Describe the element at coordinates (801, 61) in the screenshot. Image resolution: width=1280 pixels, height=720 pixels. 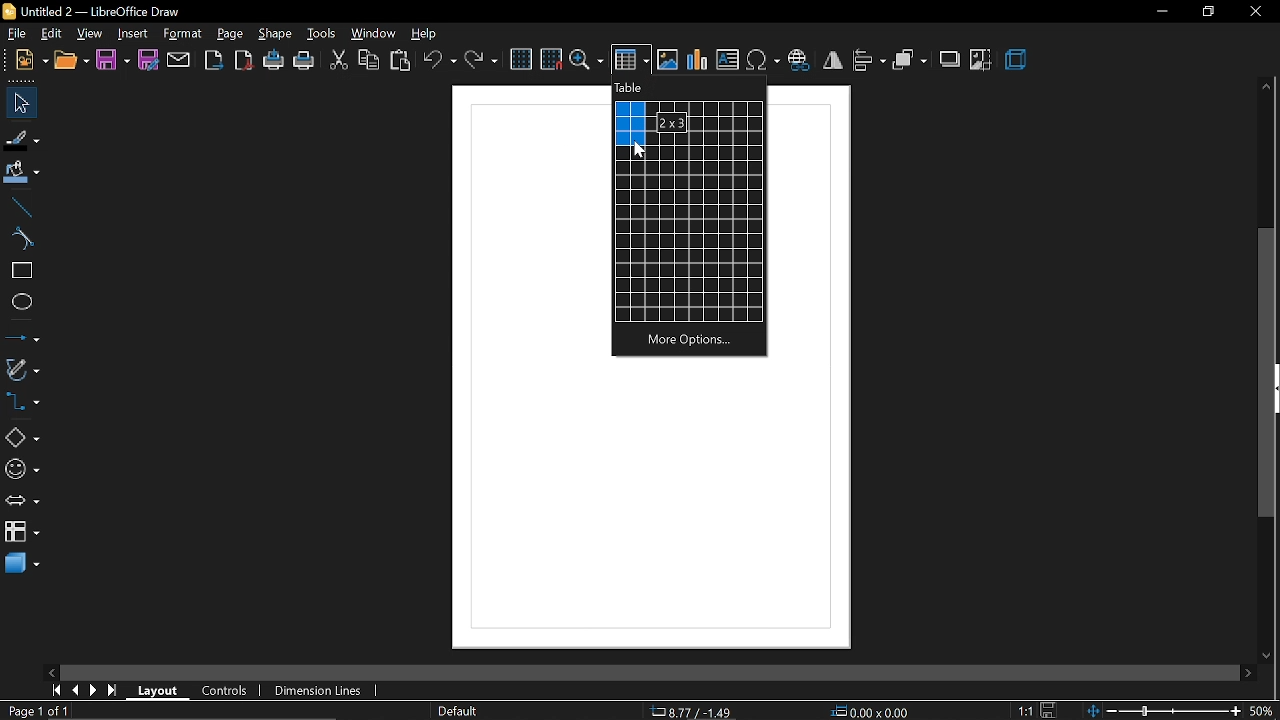
I see `insert hyperlink` at that location.